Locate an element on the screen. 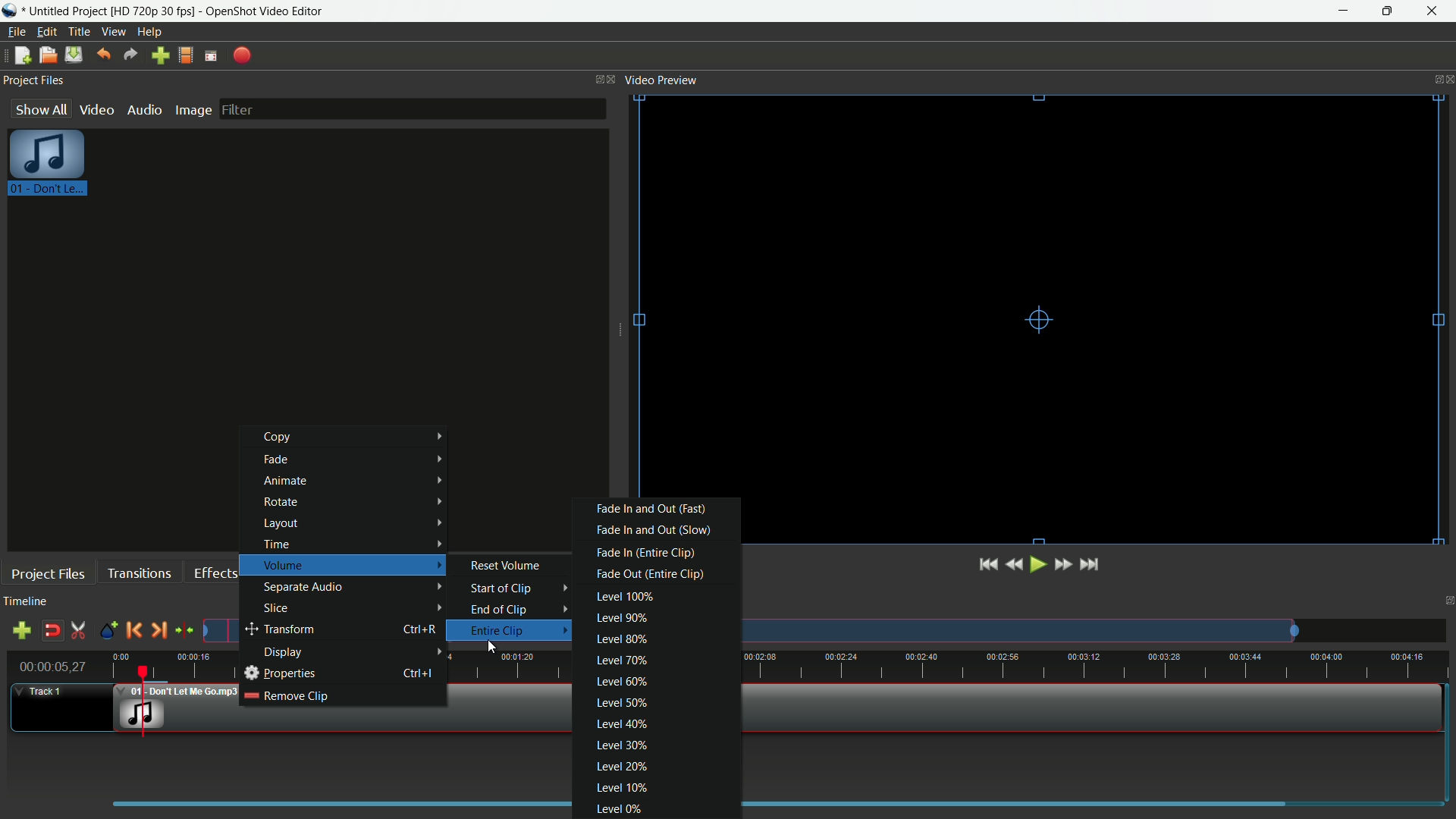 This screenshot has height=819, width=1456. slice is located at coordinates (354, 609).